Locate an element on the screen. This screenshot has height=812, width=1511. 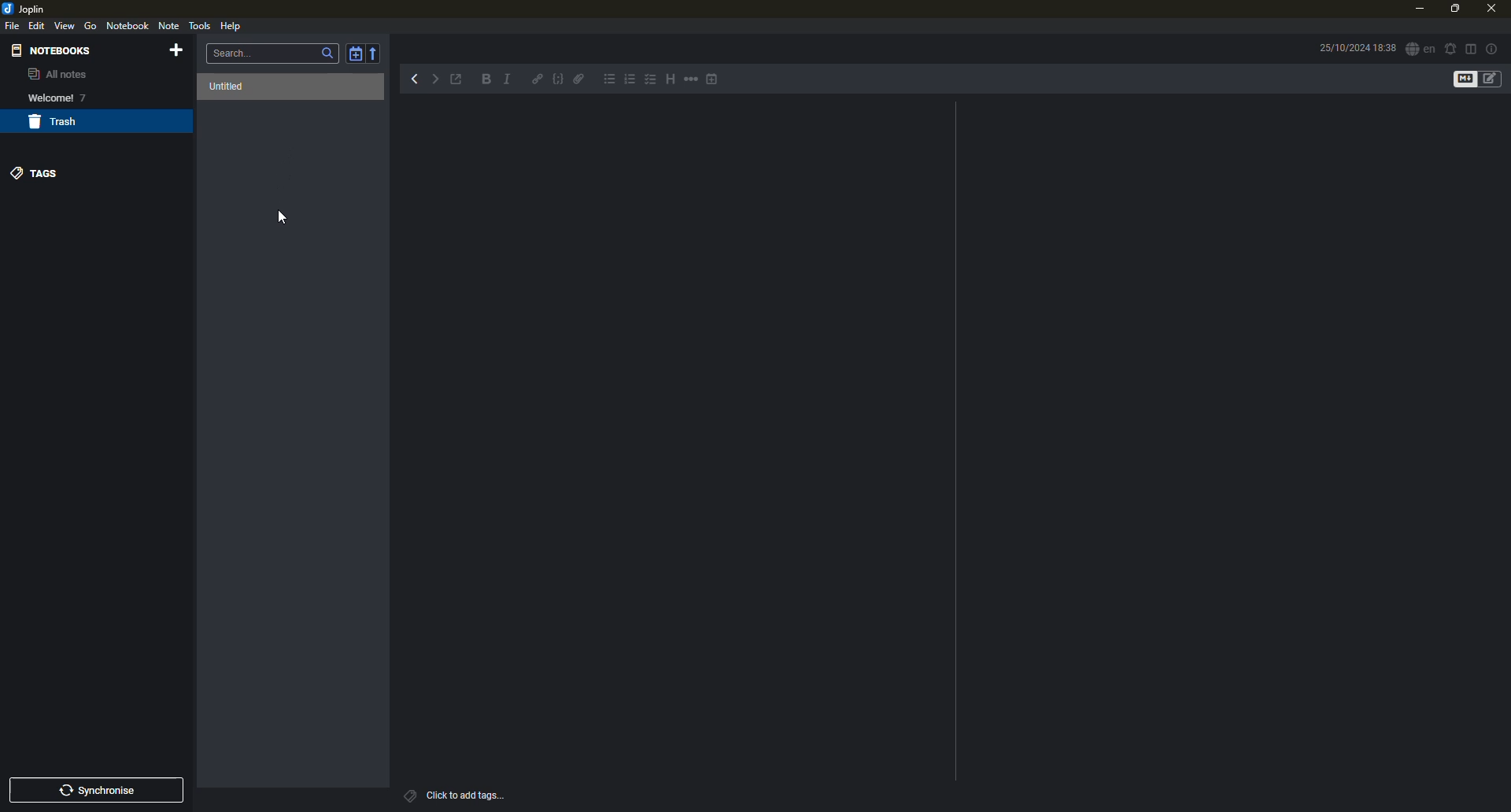
welcome! is located at coordinates (46, 98).